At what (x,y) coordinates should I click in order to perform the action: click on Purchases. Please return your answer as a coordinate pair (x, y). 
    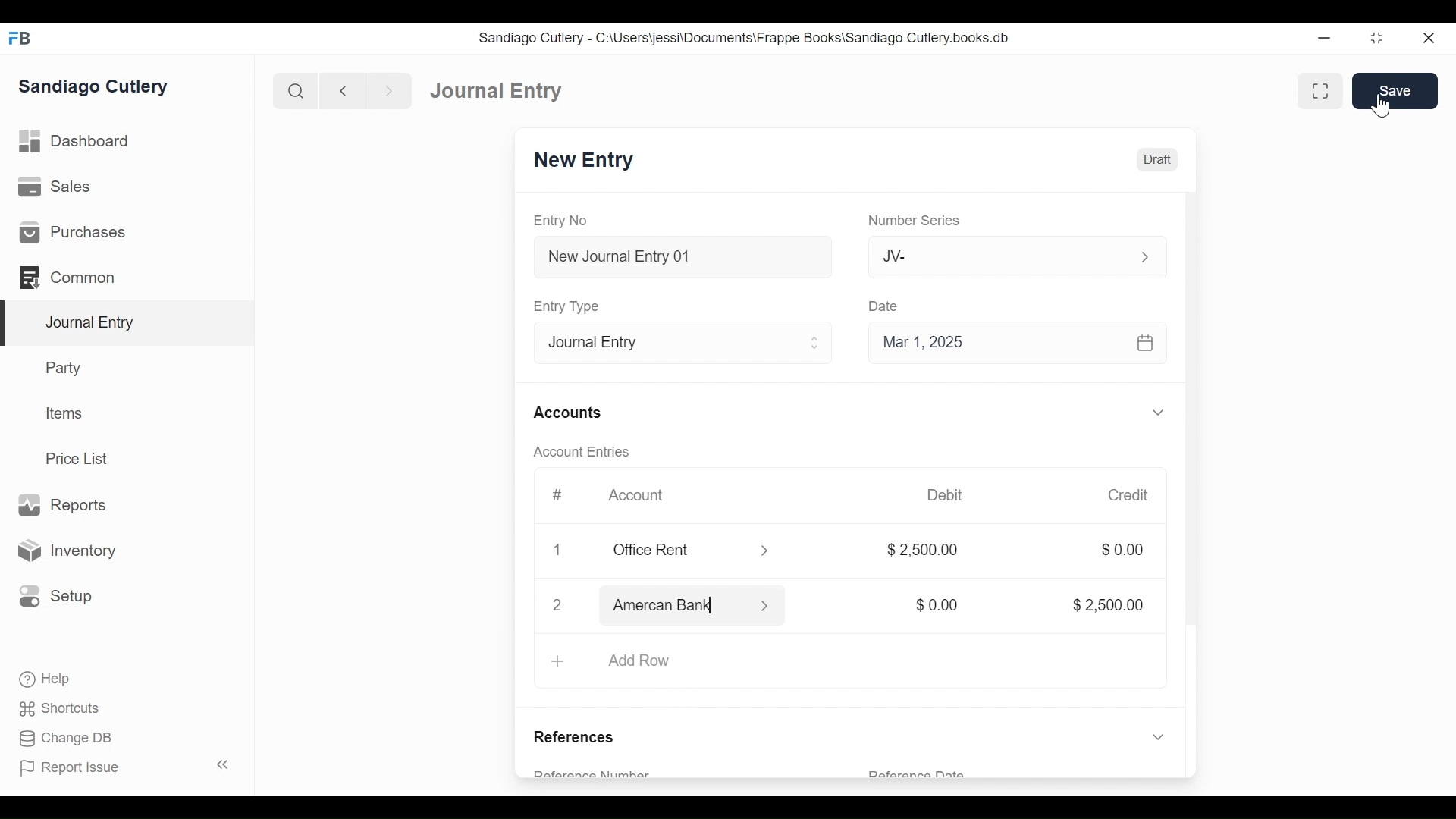
    Looking at the image, I should click on (127, 231).